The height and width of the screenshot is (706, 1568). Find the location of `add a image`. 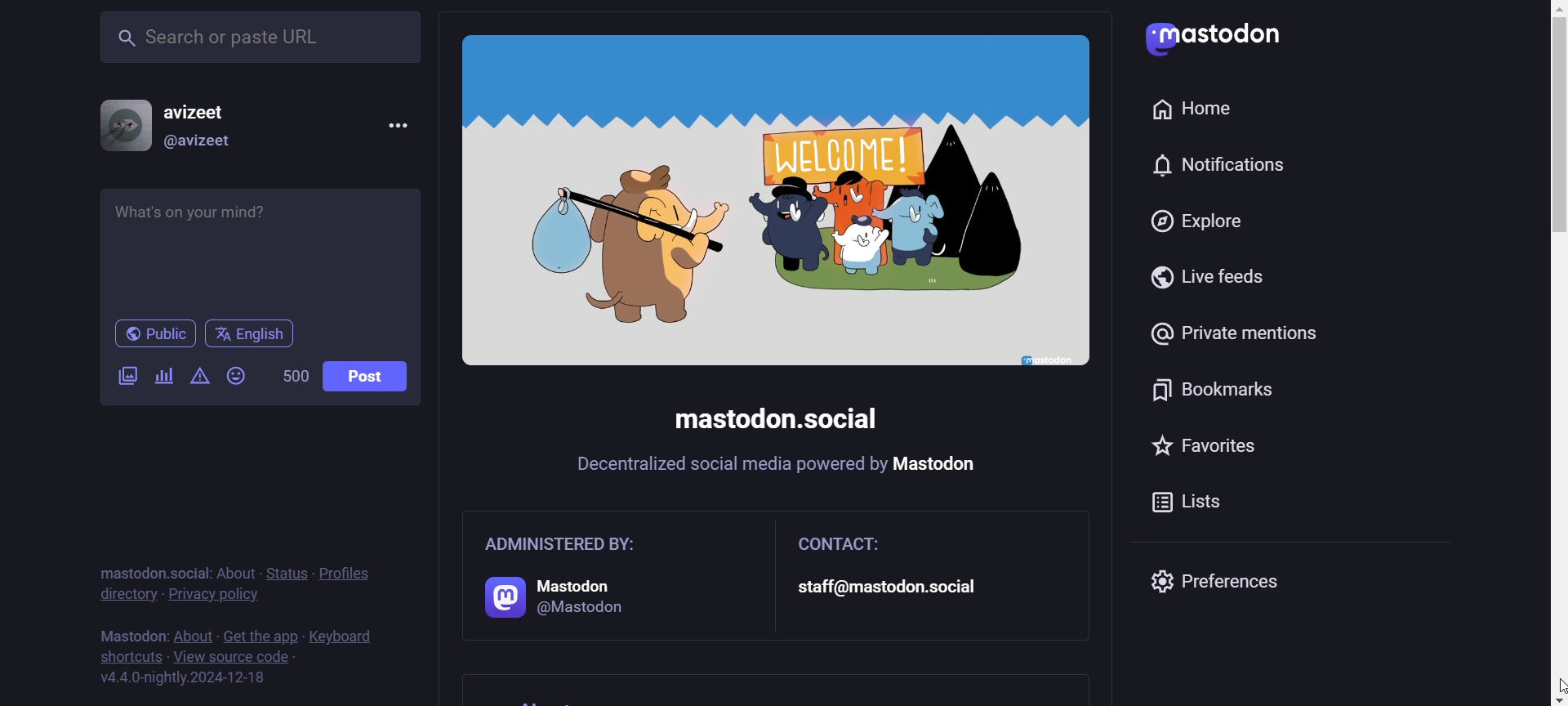

add a image is located at coordinates (129, 380).